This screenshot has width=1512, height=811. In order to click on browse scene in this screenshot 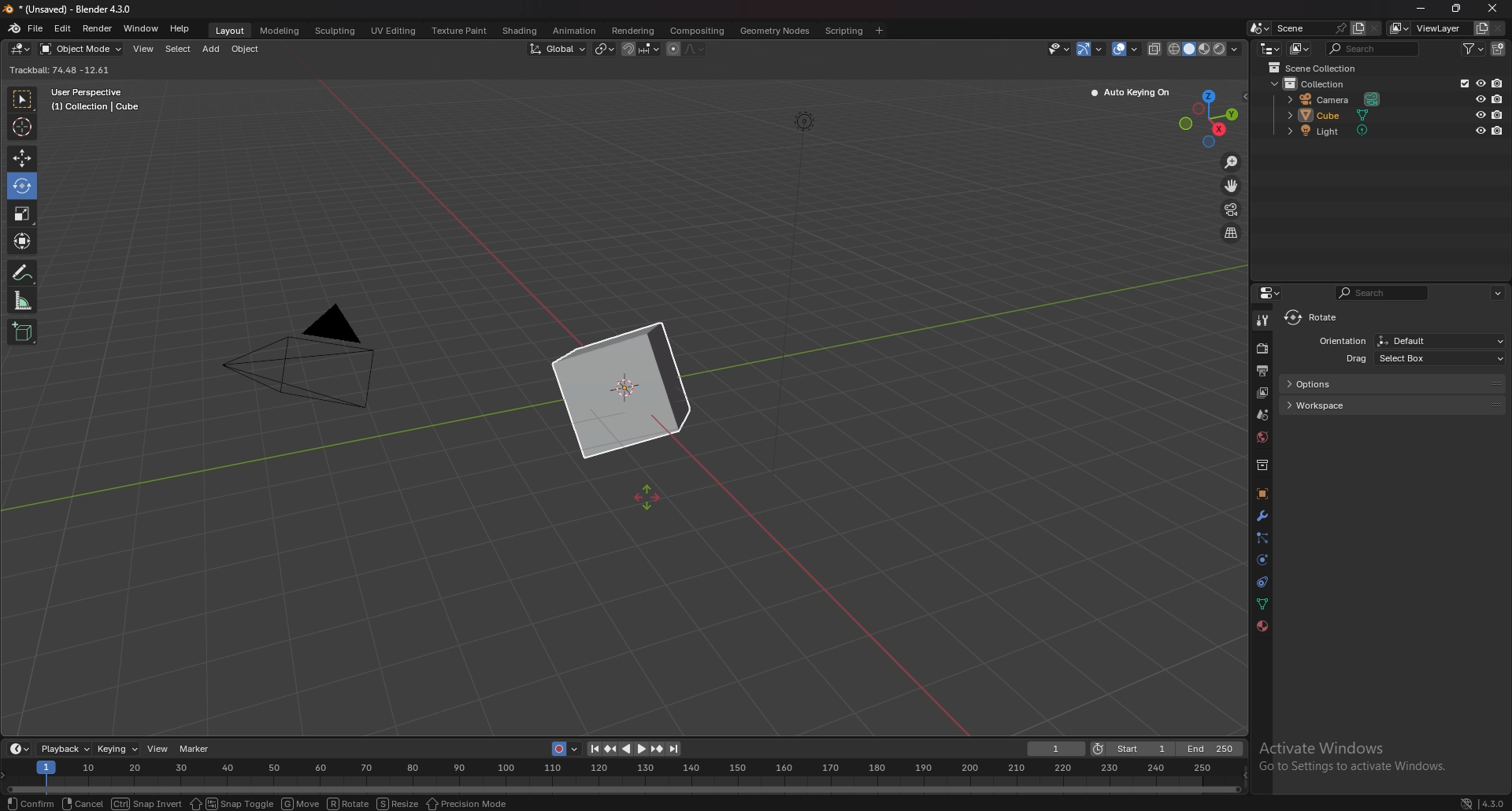, I will do `click(1258, 28)`.